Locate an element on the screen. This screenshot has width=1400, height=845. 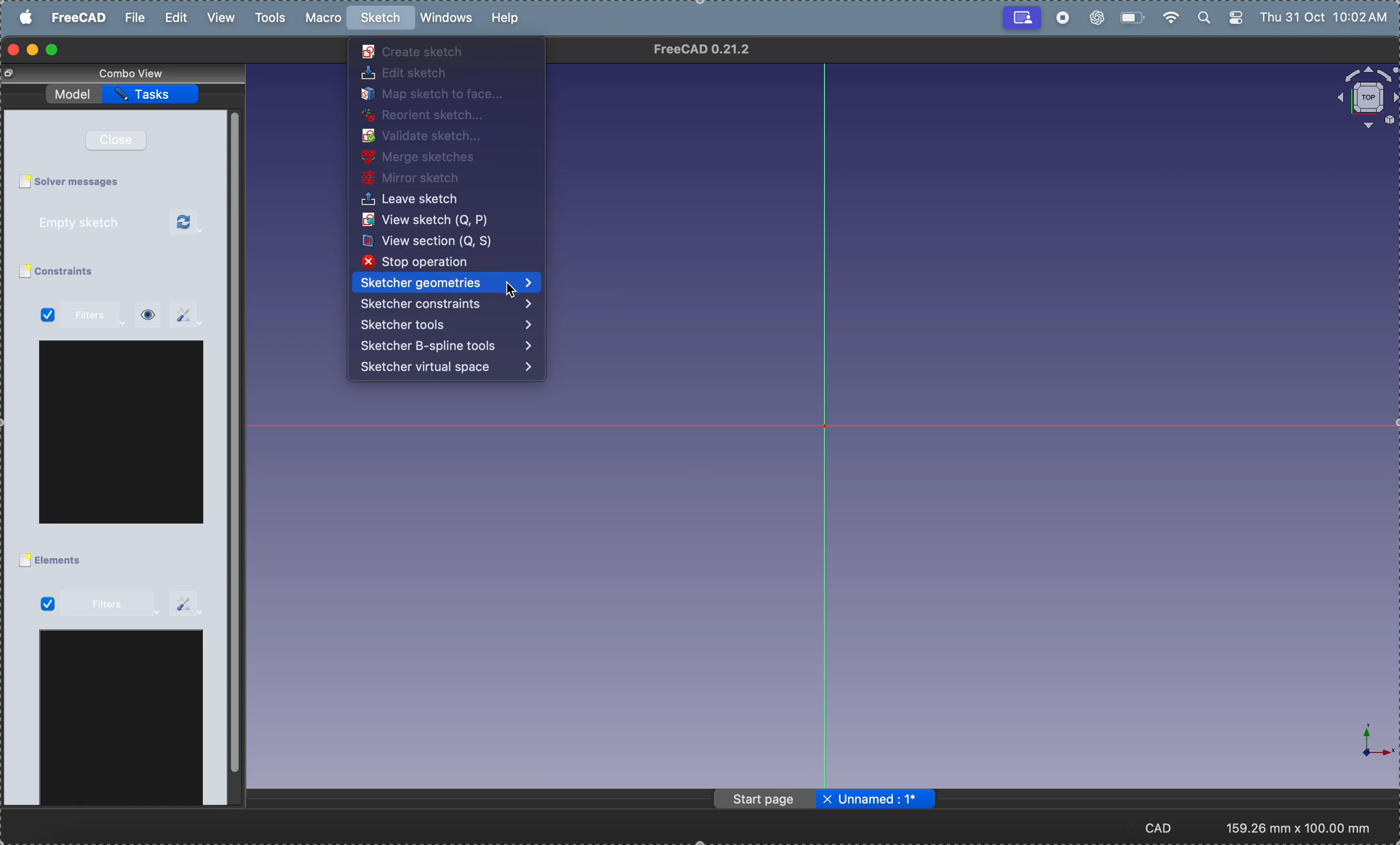
apple widgets is located at coordinates (1222, 18).